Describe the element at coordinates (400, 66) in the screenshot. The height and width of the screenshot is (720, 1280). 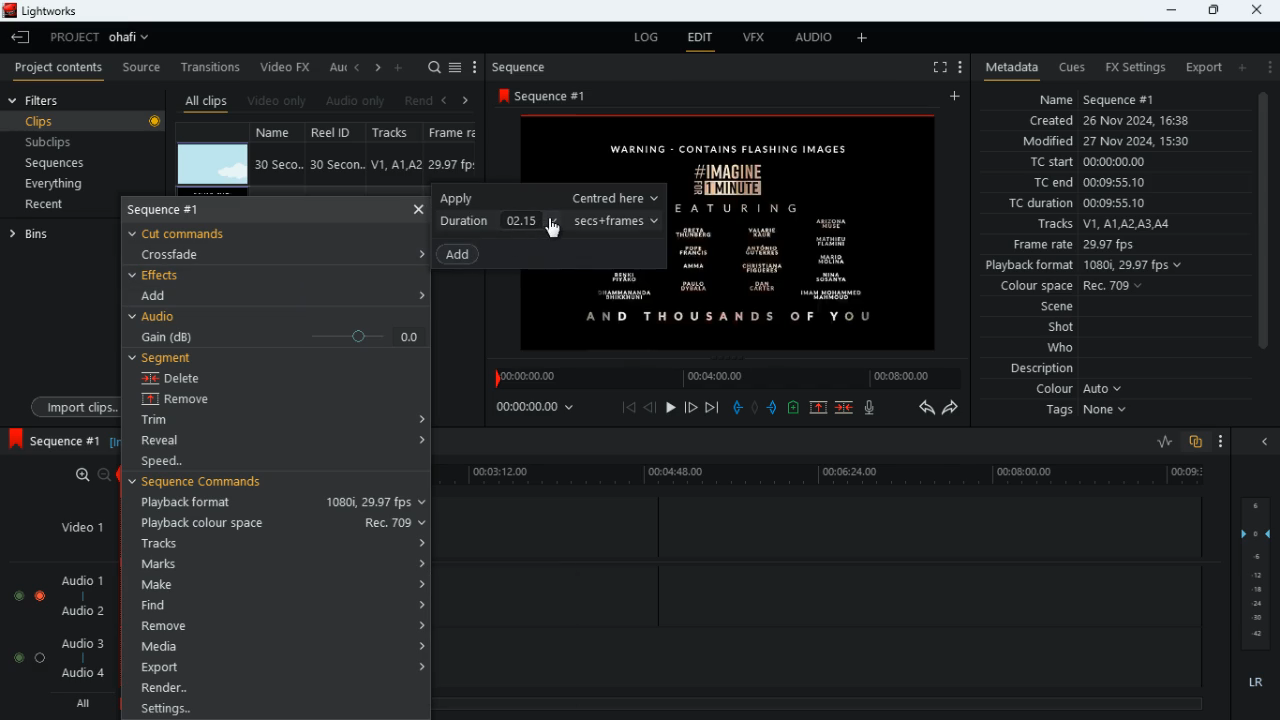
I see `add` at that location.